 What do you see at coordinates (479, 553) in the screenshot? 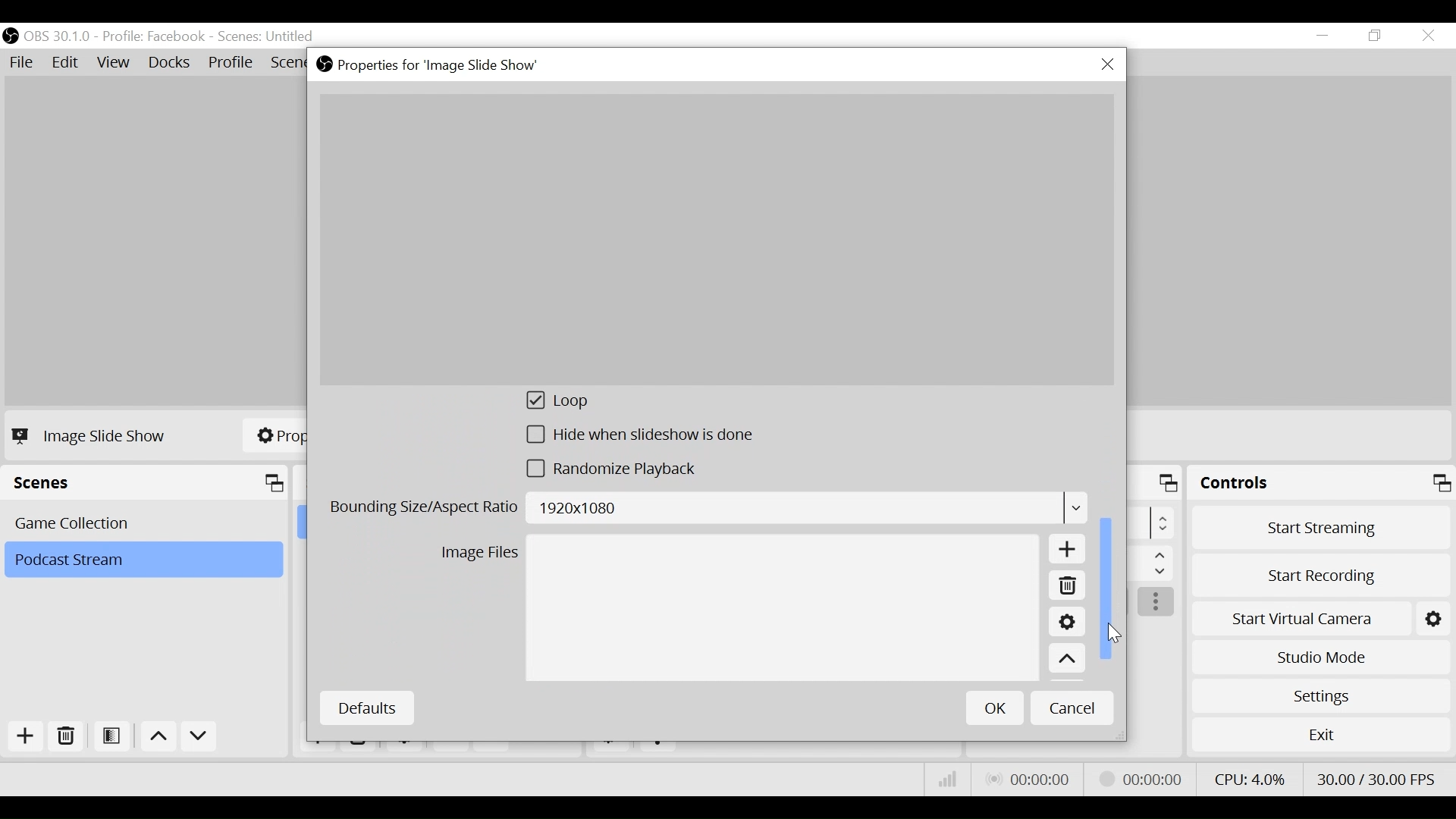
I see `Image Files` at bounding box center [479, 553].